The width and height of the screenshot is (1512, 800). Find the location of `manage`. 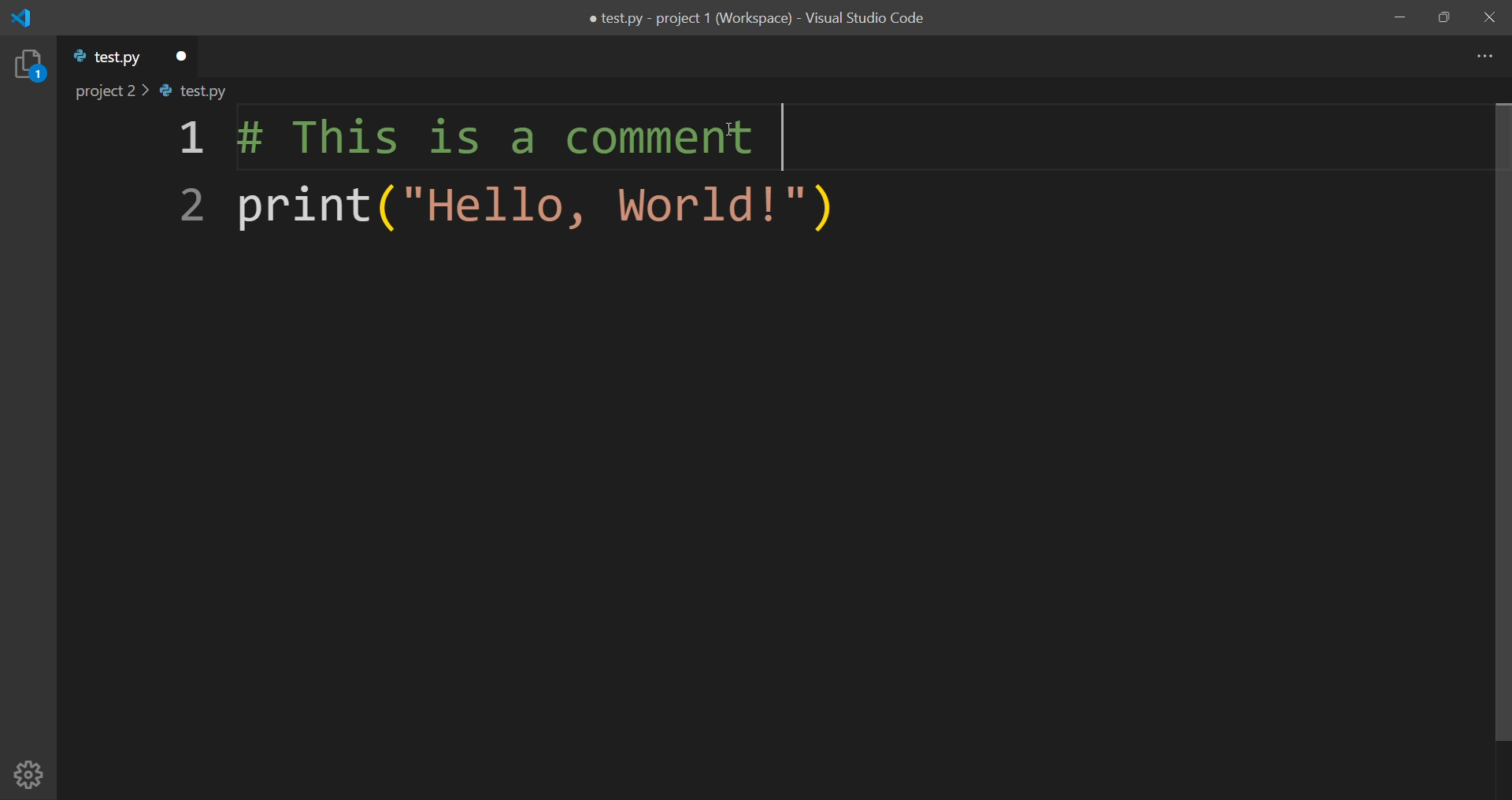

manage is located at coordinates (30, 774).